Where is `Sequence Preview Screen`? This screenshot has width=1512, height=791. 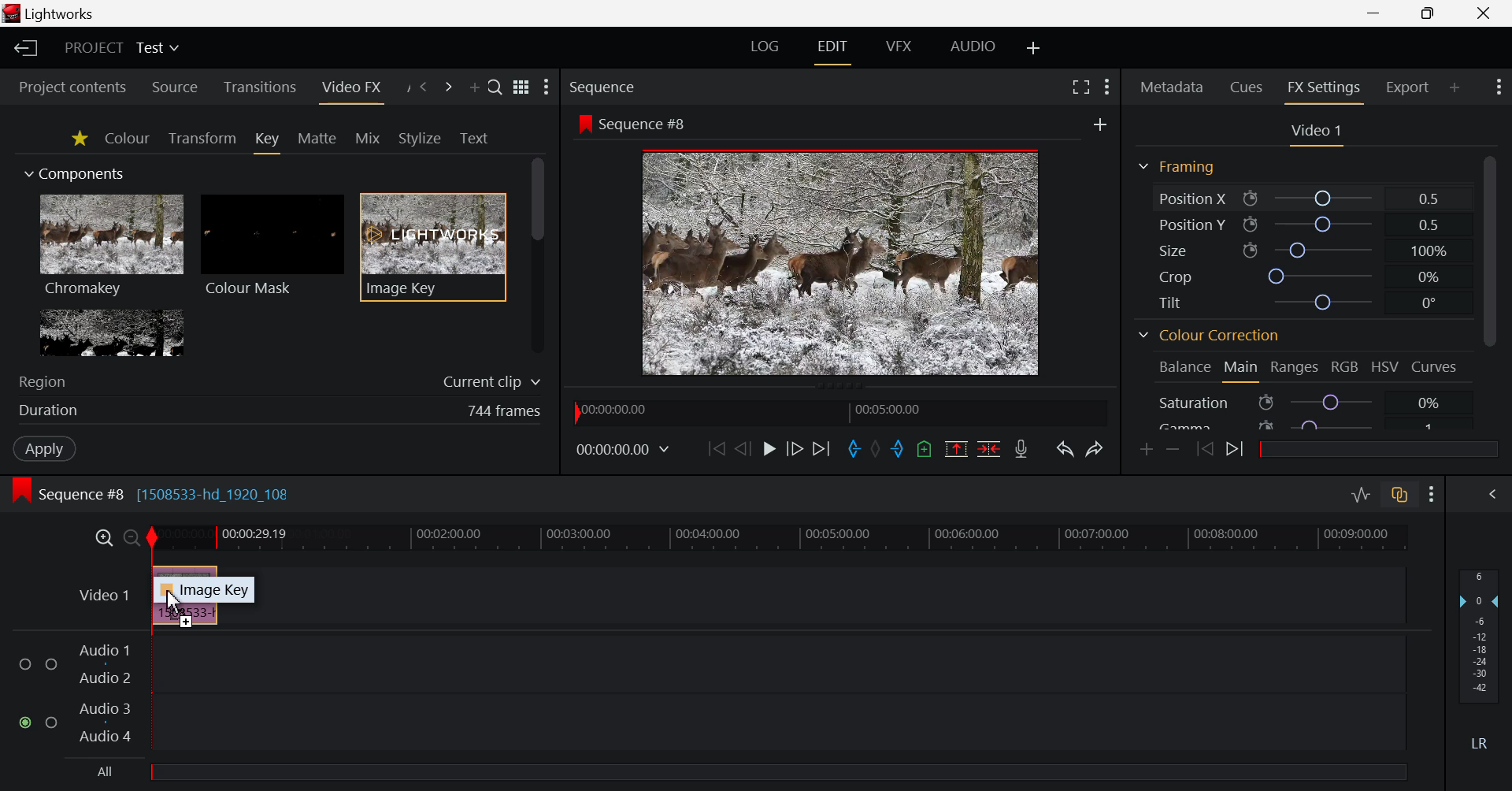
Sequence Preview Screen is located at coordinates (841, 262).